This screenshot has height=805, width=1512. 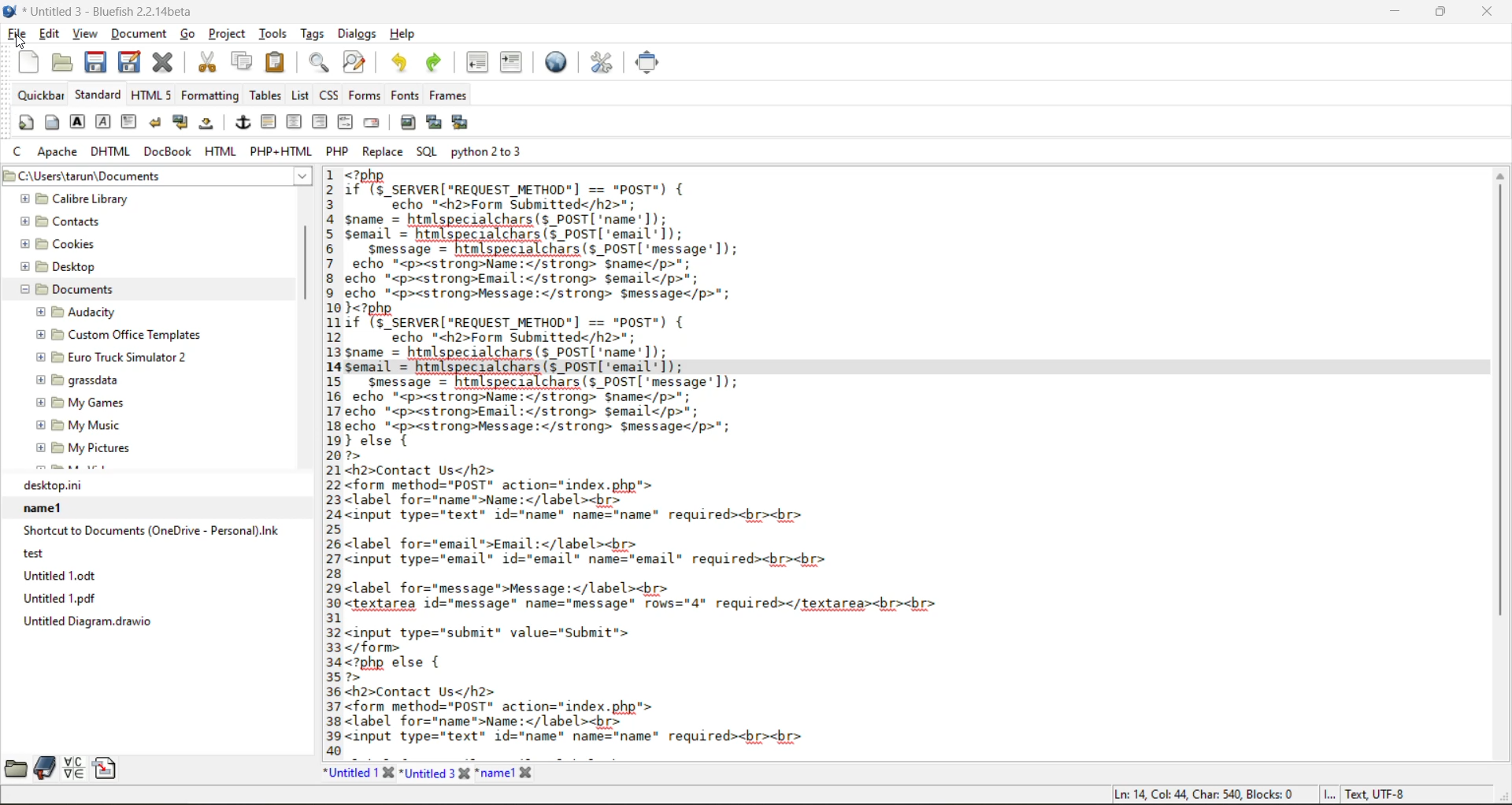 What do you see at coordinates (354, 64) in the screenshot?
I see `find and replace` at bounding box center [354, 64].